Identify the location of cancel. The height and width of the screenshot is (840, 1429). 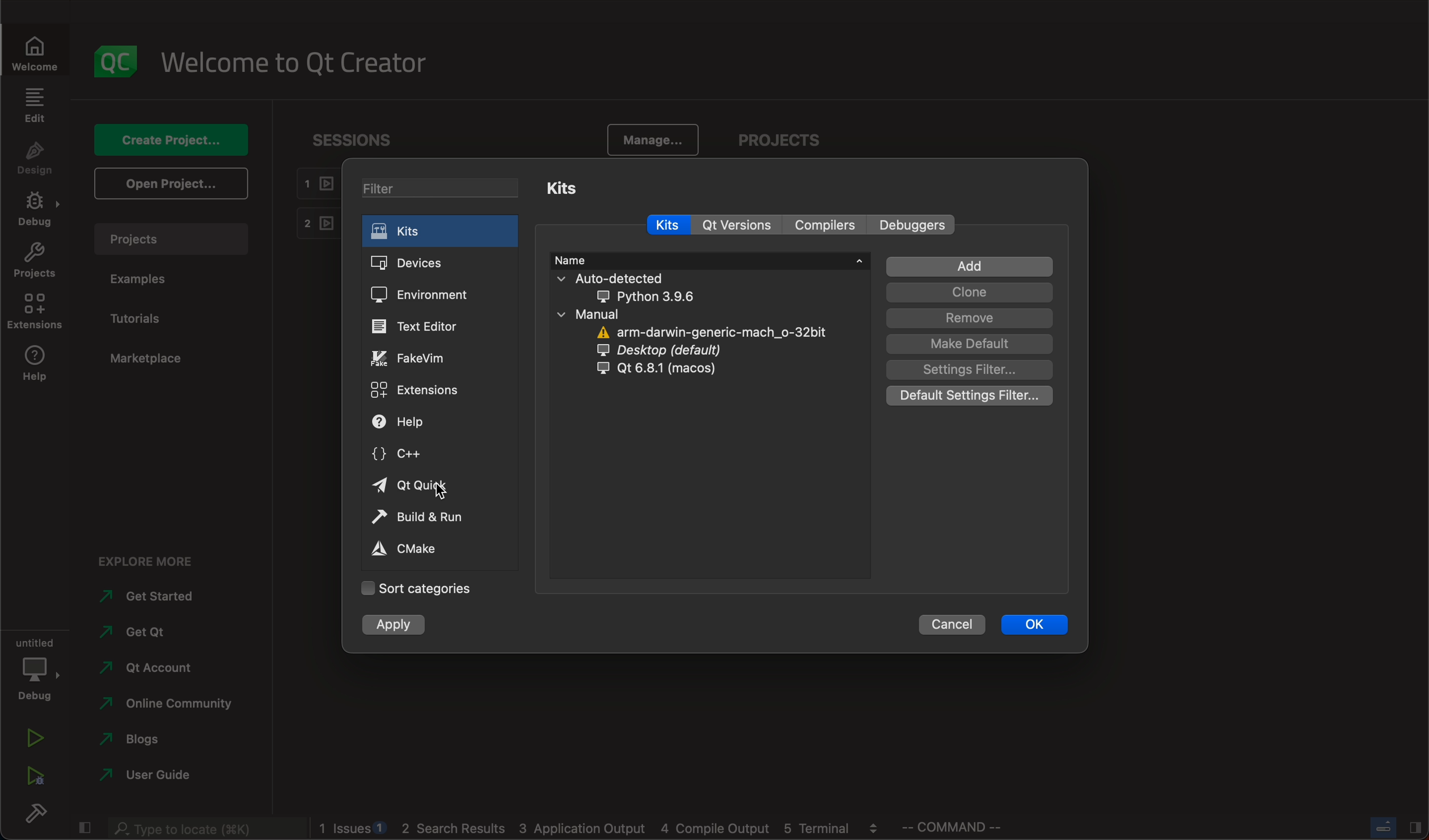
(955, 625).